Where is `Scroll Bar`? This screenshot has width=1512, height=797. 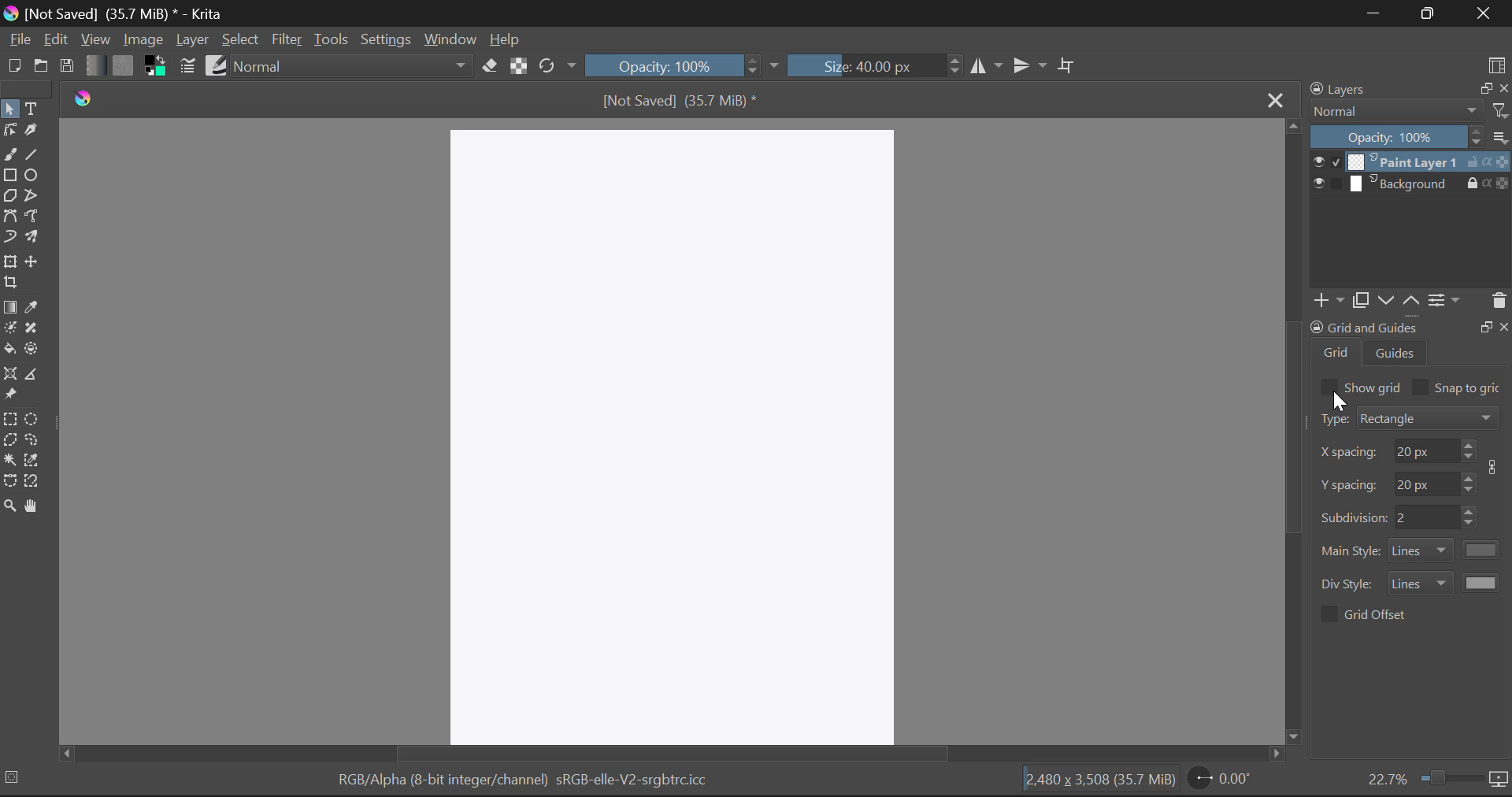
Scroll Bar is located at coordinates (676, 753).